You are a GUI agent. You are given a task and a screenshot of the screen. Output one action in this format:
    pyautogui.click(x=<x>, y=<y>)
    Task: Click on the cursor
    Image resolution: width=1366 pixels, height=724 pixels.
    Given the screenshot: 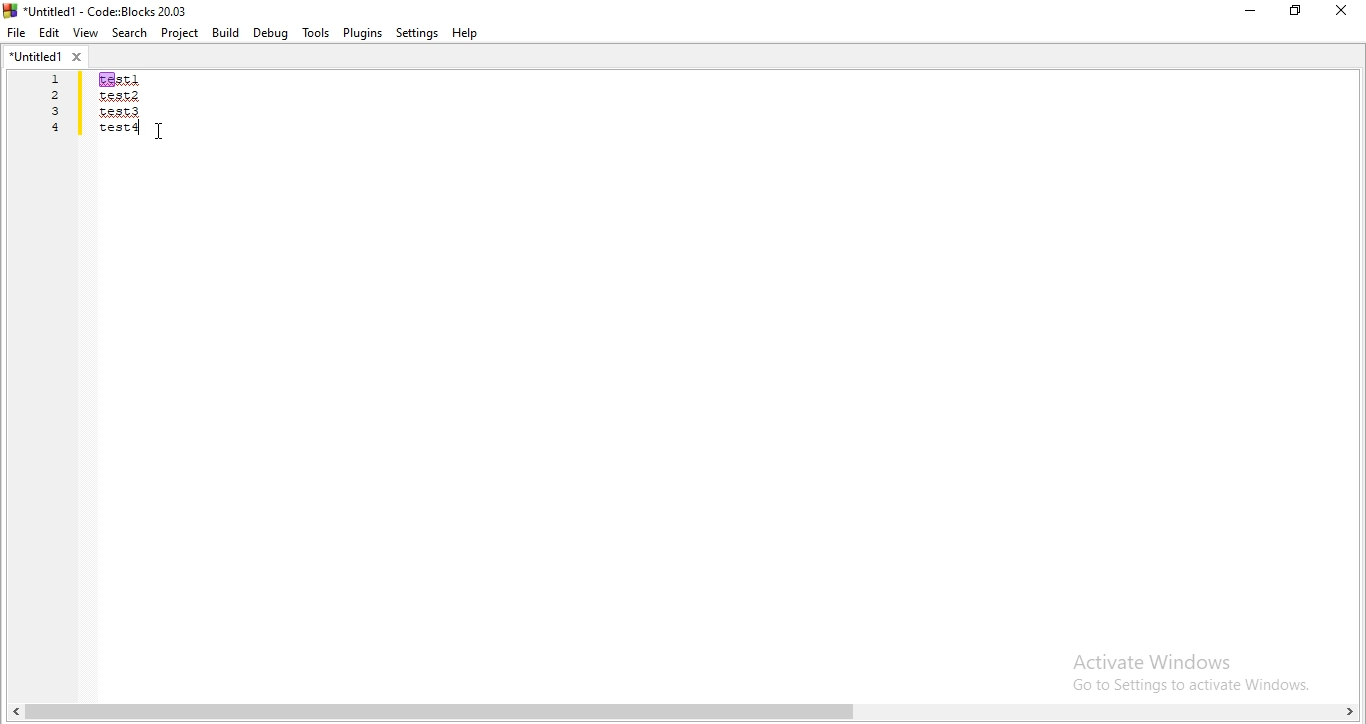 What is the action you would take?
    pyautogui.click(x=161, y=131)
    